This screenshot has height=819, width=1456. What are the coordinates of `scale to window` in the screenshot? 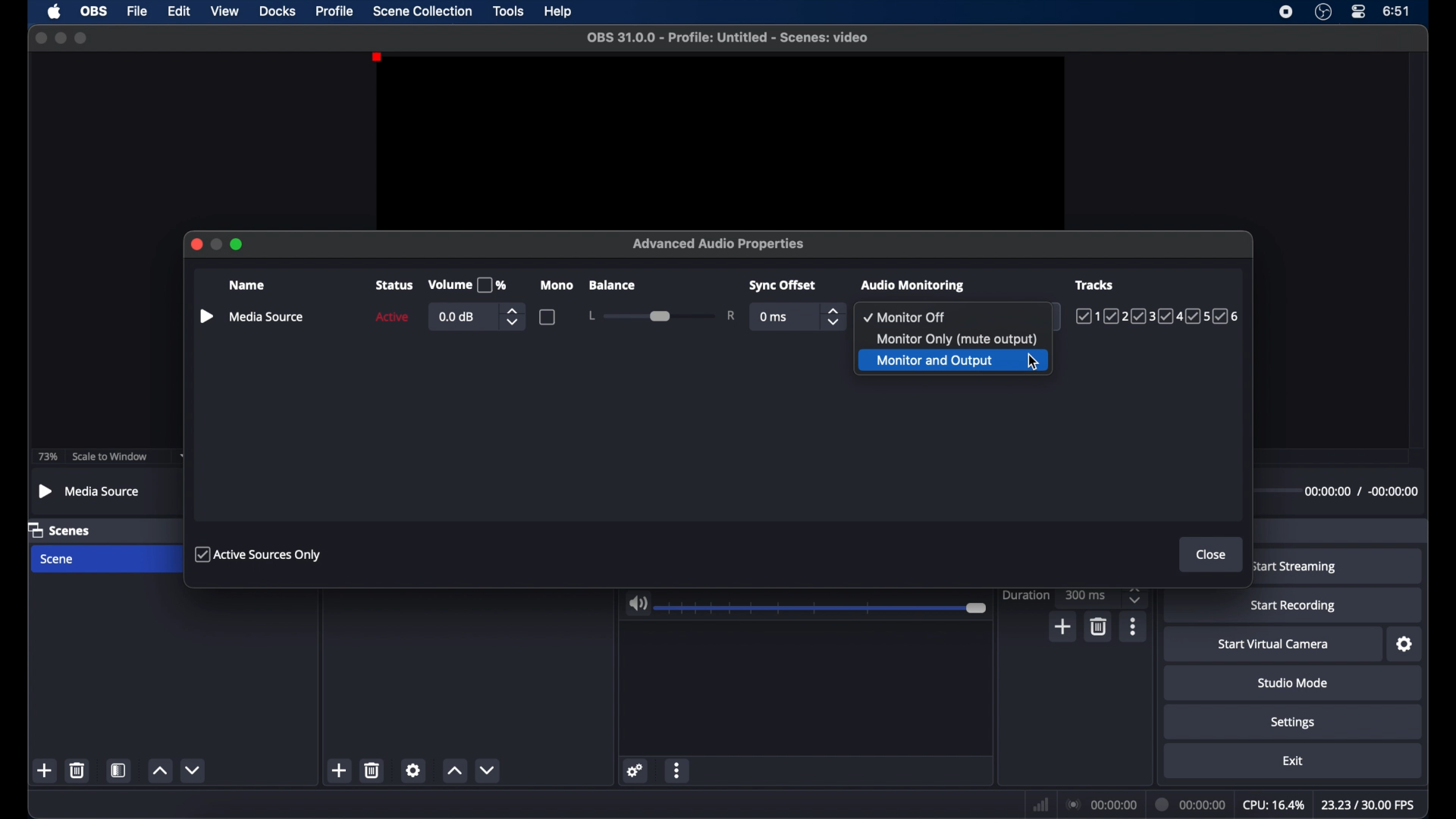 It's located at (110, 457).